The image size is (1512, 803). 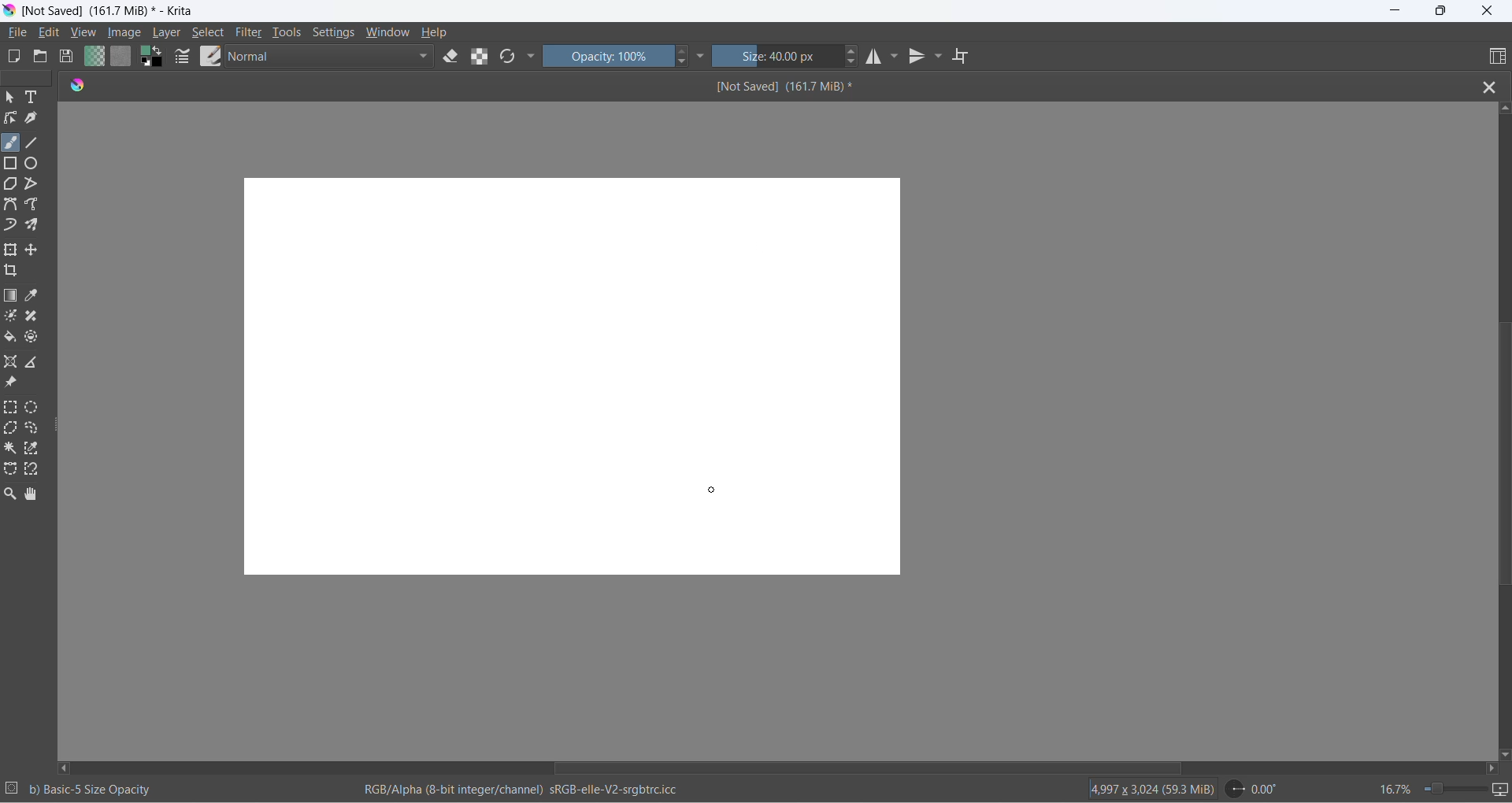 I want to click on text tool, so click(x=34, y=98).